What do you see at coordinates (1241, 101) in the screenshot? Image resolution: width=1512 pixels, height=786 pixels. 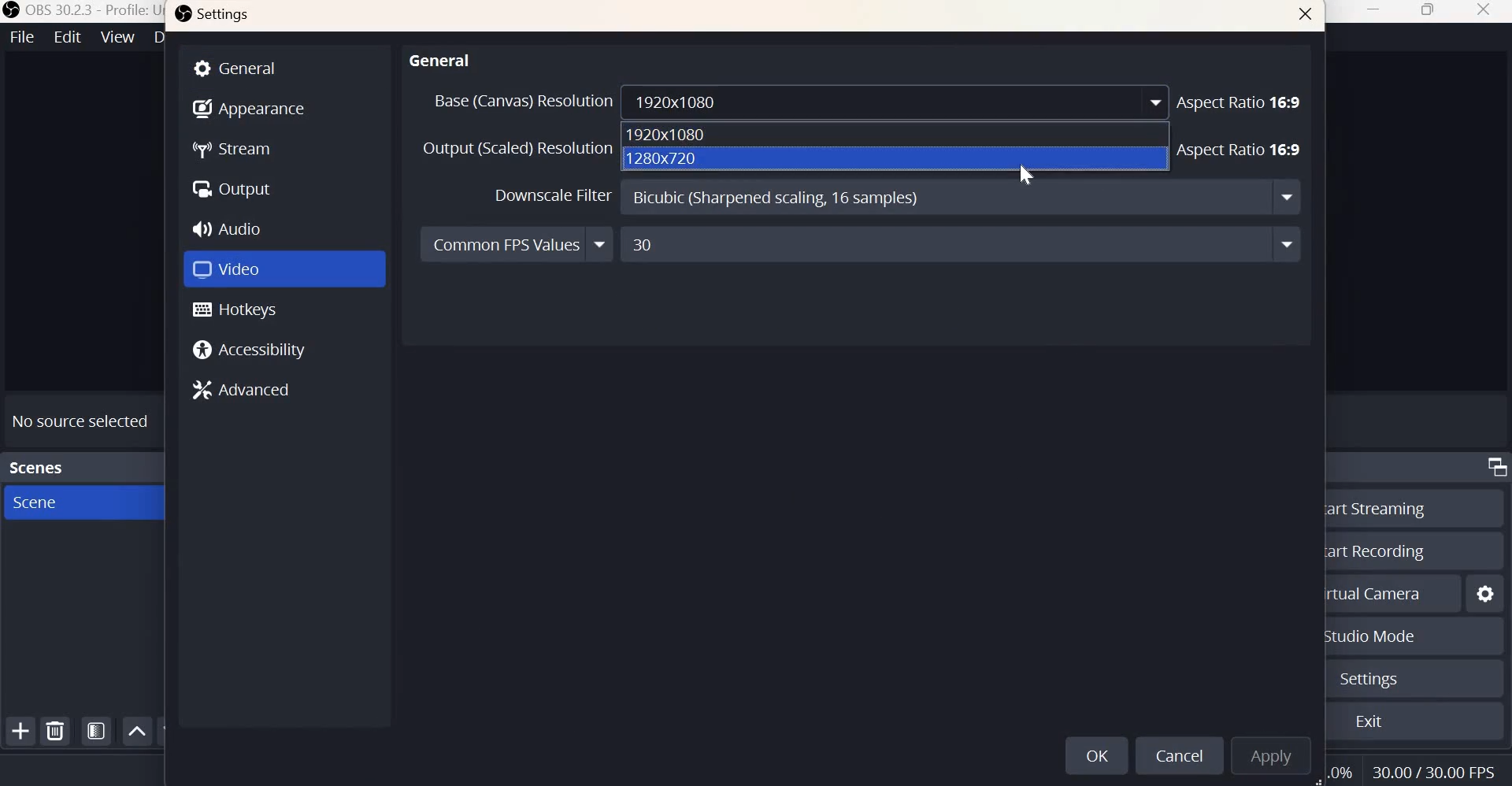 I see `Aspect 16:9` at bounding box center [1241, 101].